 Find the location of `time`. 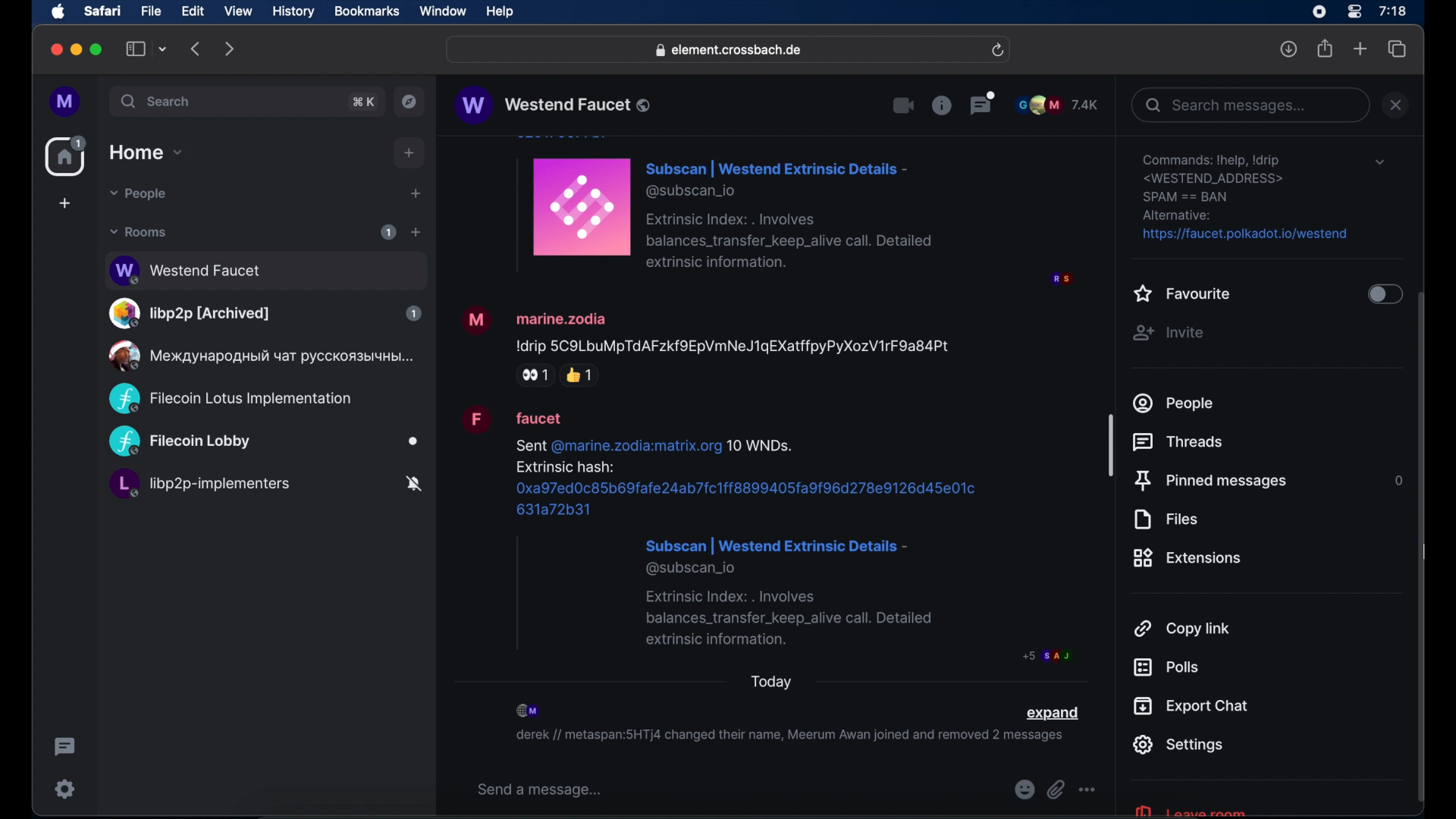

time is located at coordinates (1392, 11).